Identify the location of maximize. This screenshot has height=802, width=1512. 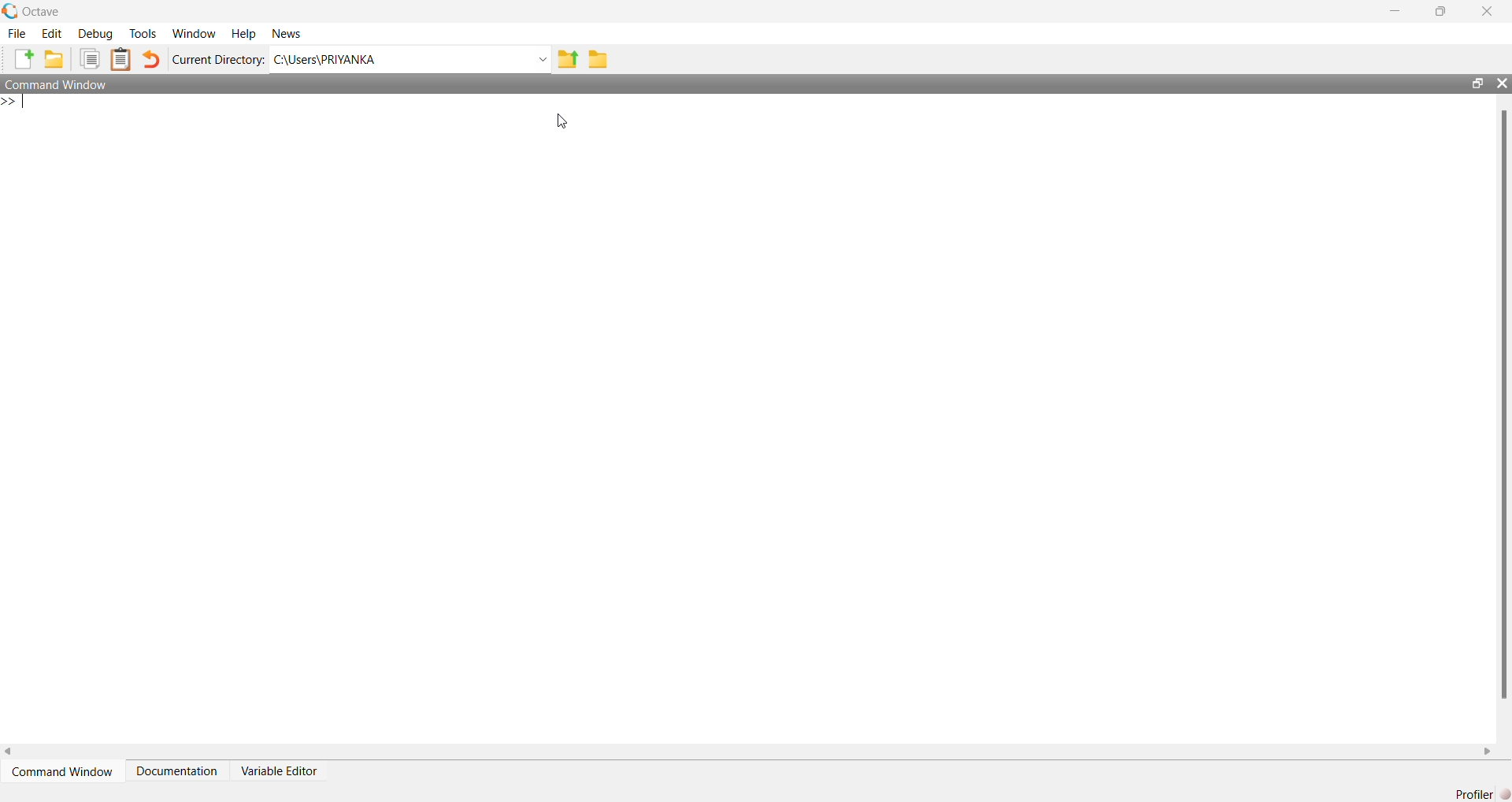
(1473, 82).